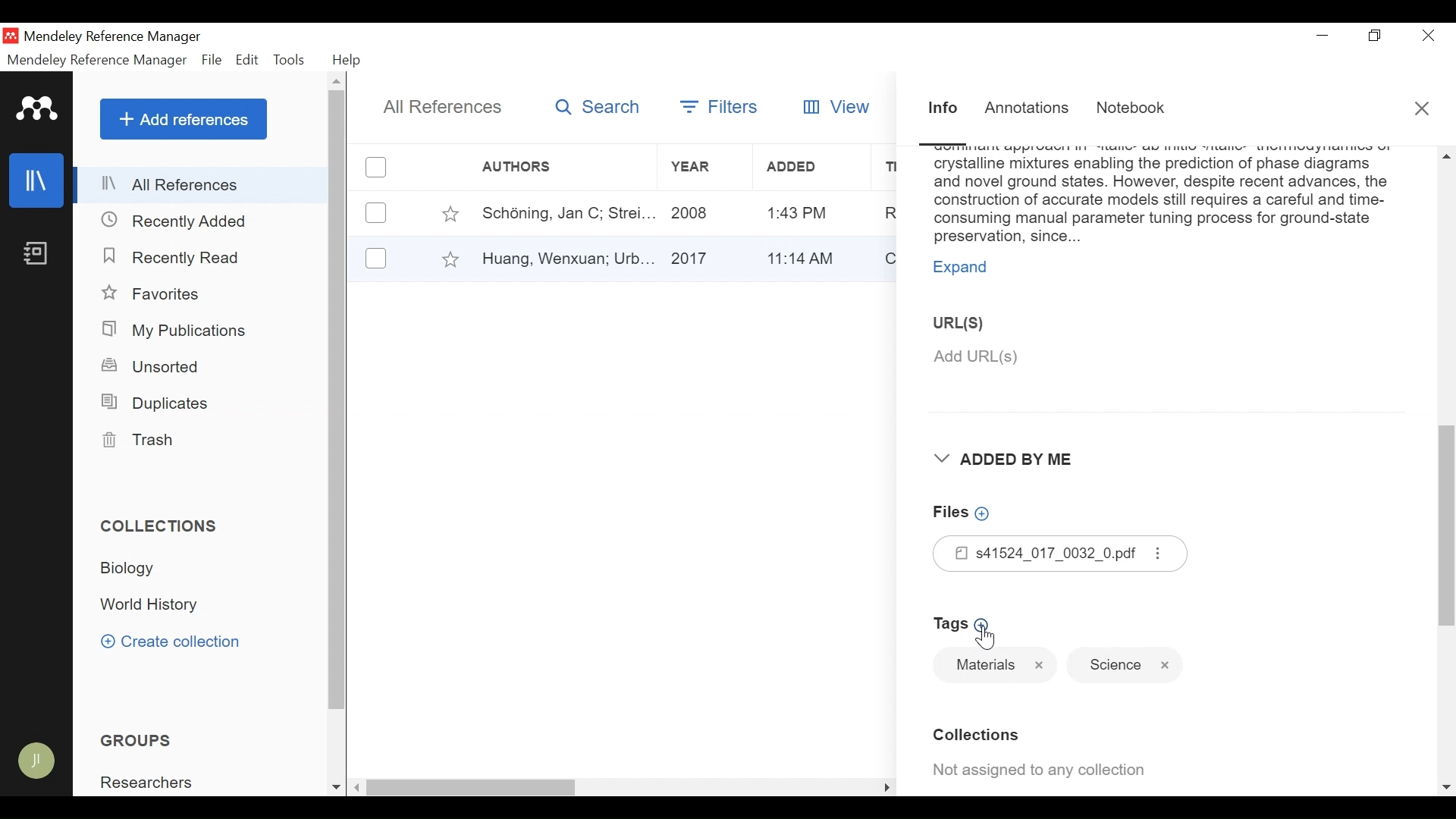 This screenshot has width=1456, height=819. I want to click on Mendeley Reference Manager, so click(116, 36).